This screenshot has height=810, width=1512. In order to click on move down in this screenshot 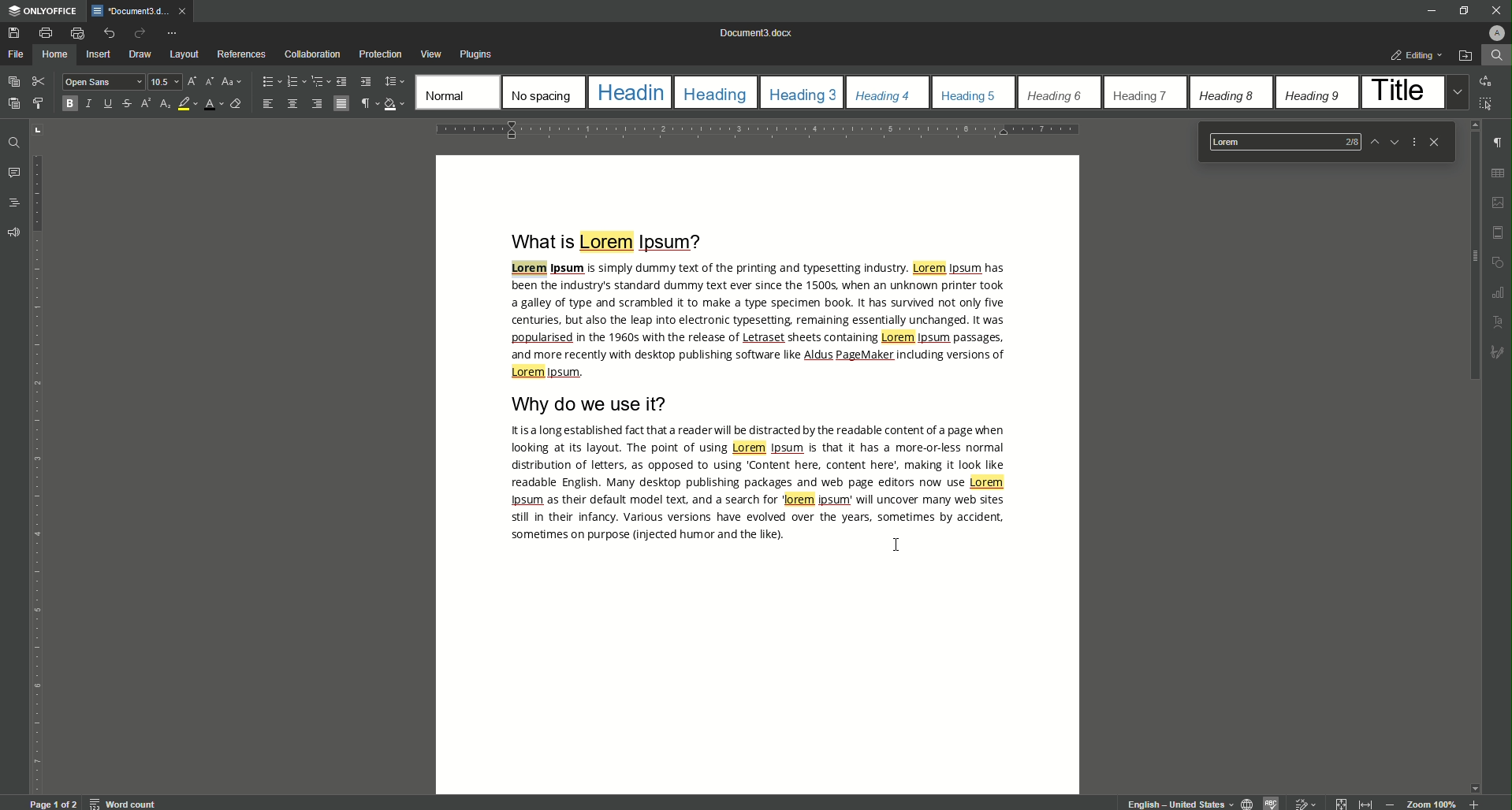, I will do `click(1477, 785)`.